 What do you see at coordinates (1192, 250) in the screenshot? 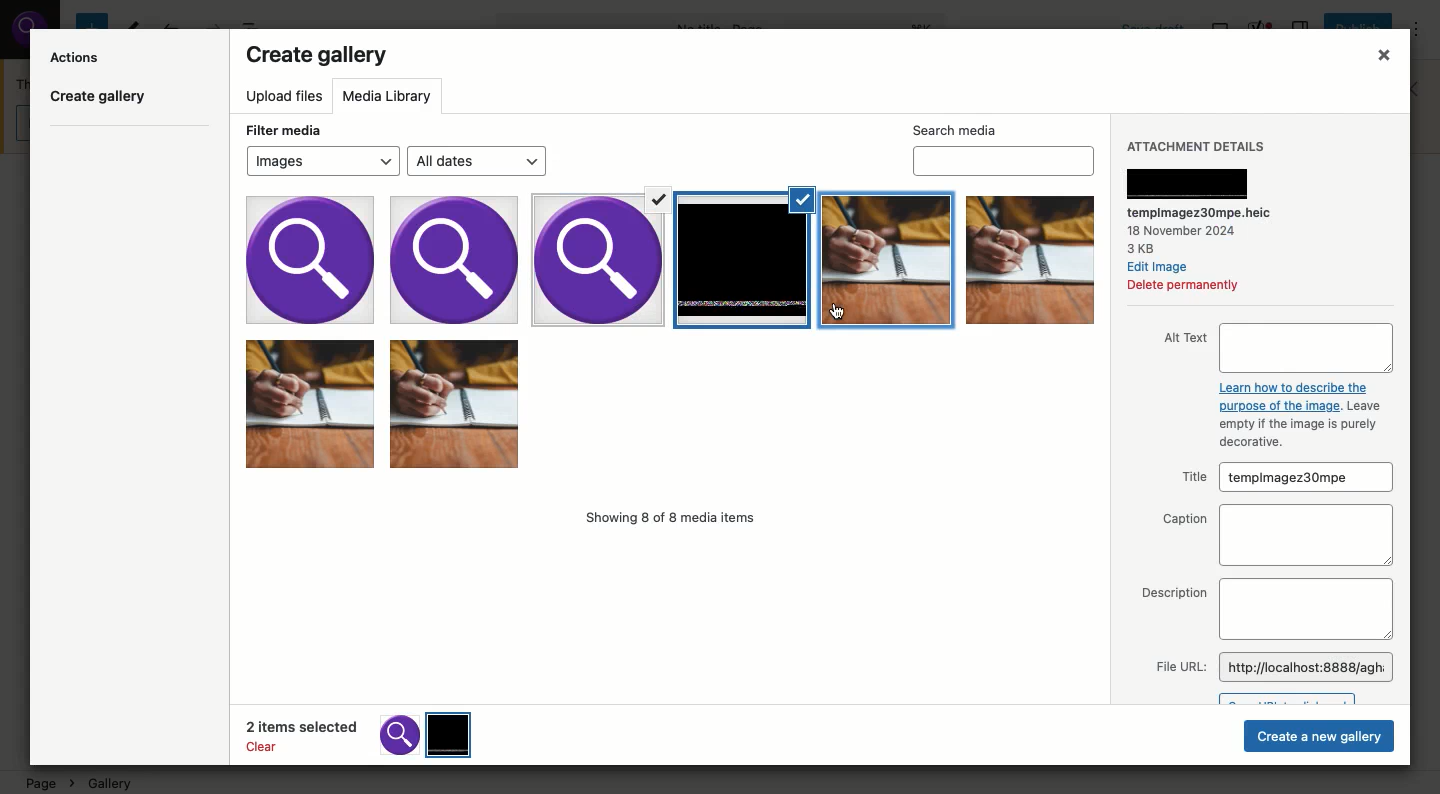
I see `3KB ` at bounding box center [1192, 250].